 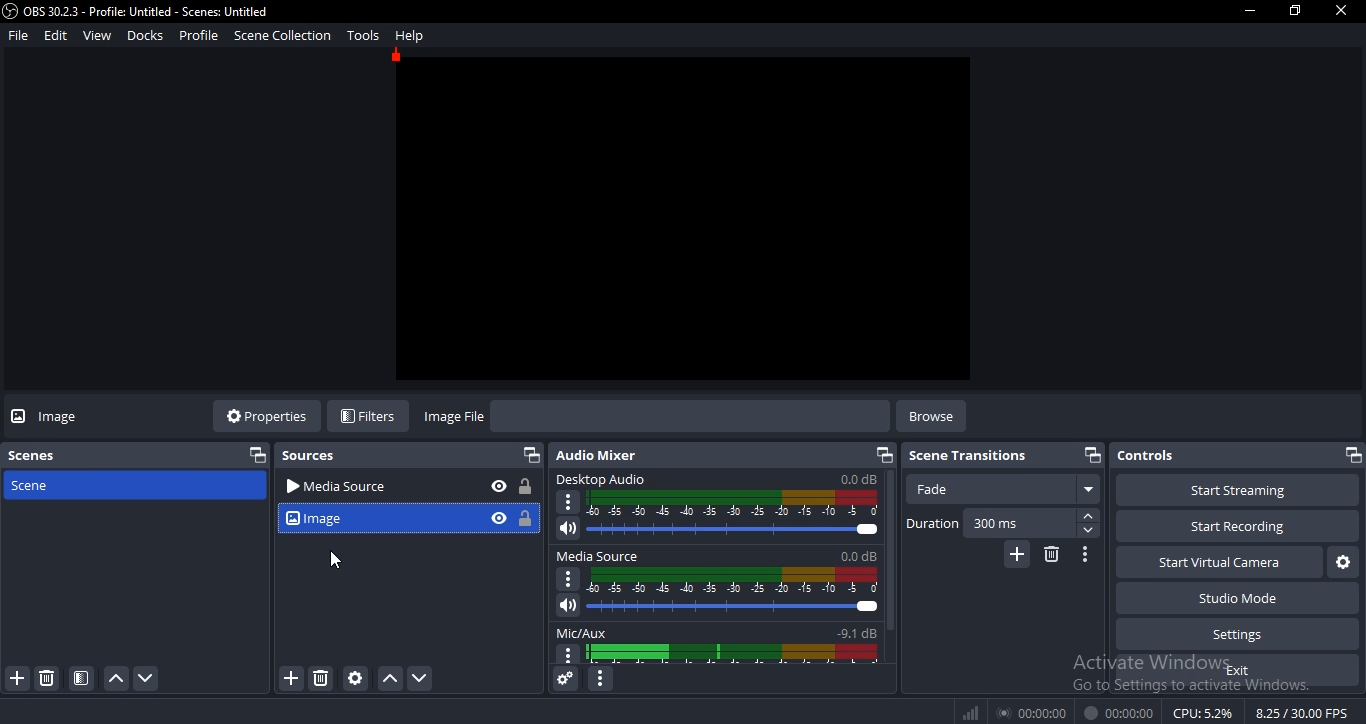 I want to click on lock, so click(x=522, y=487).